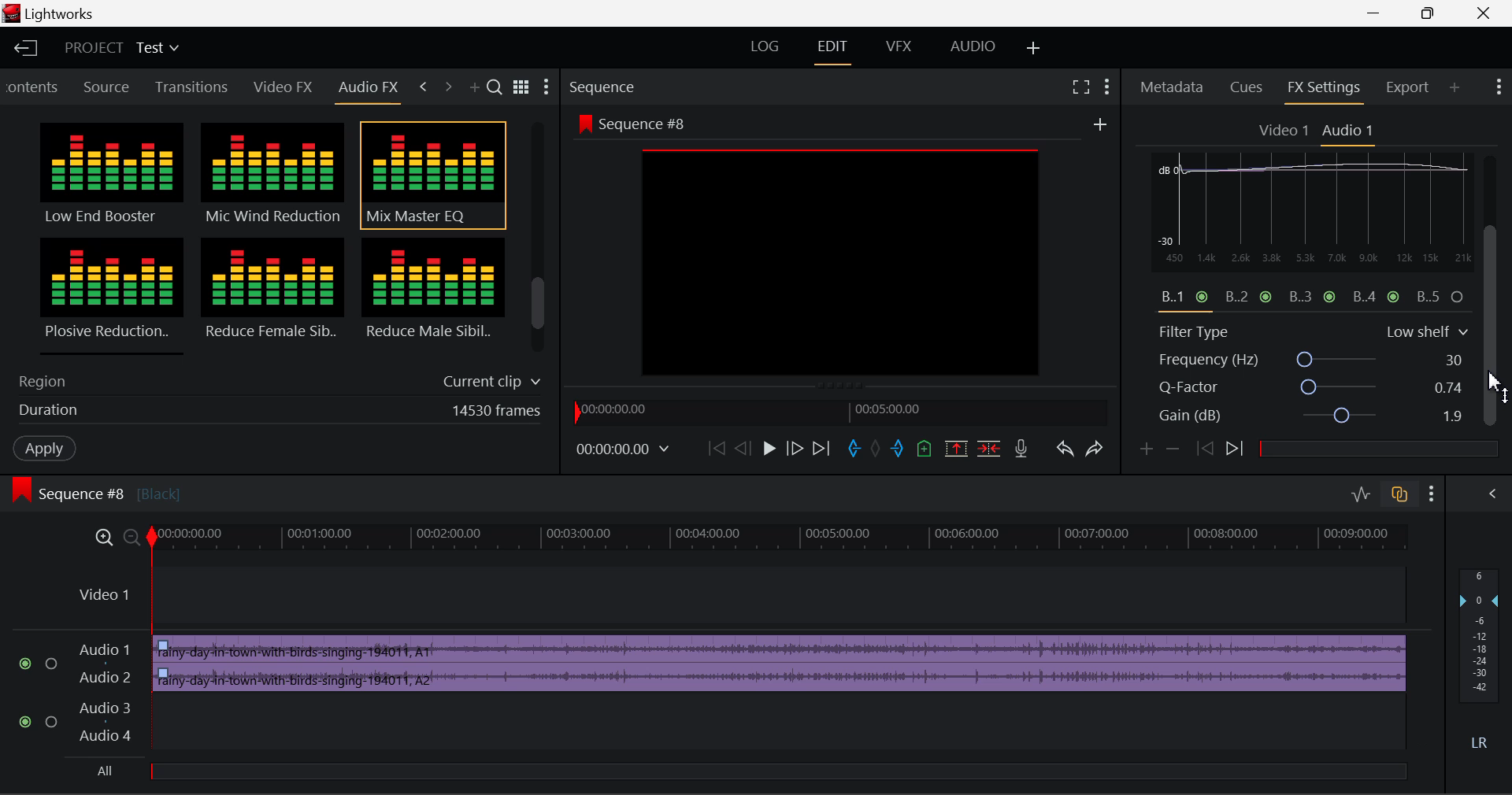 The image size is (1512, 795). I want to click on Duration, so click(275, 413).